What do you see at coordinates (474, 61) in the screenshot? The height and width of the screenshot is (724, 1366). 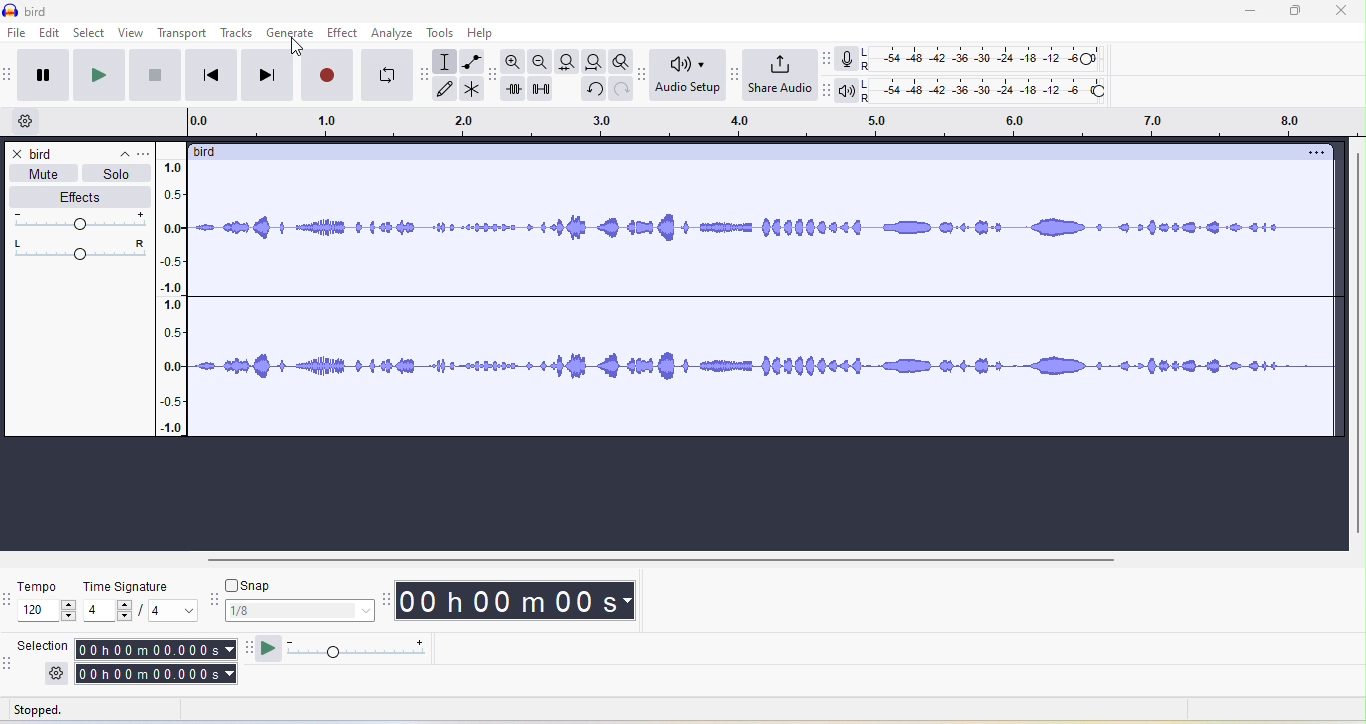 I see `envelope tool` at bounding box center [474, 61].